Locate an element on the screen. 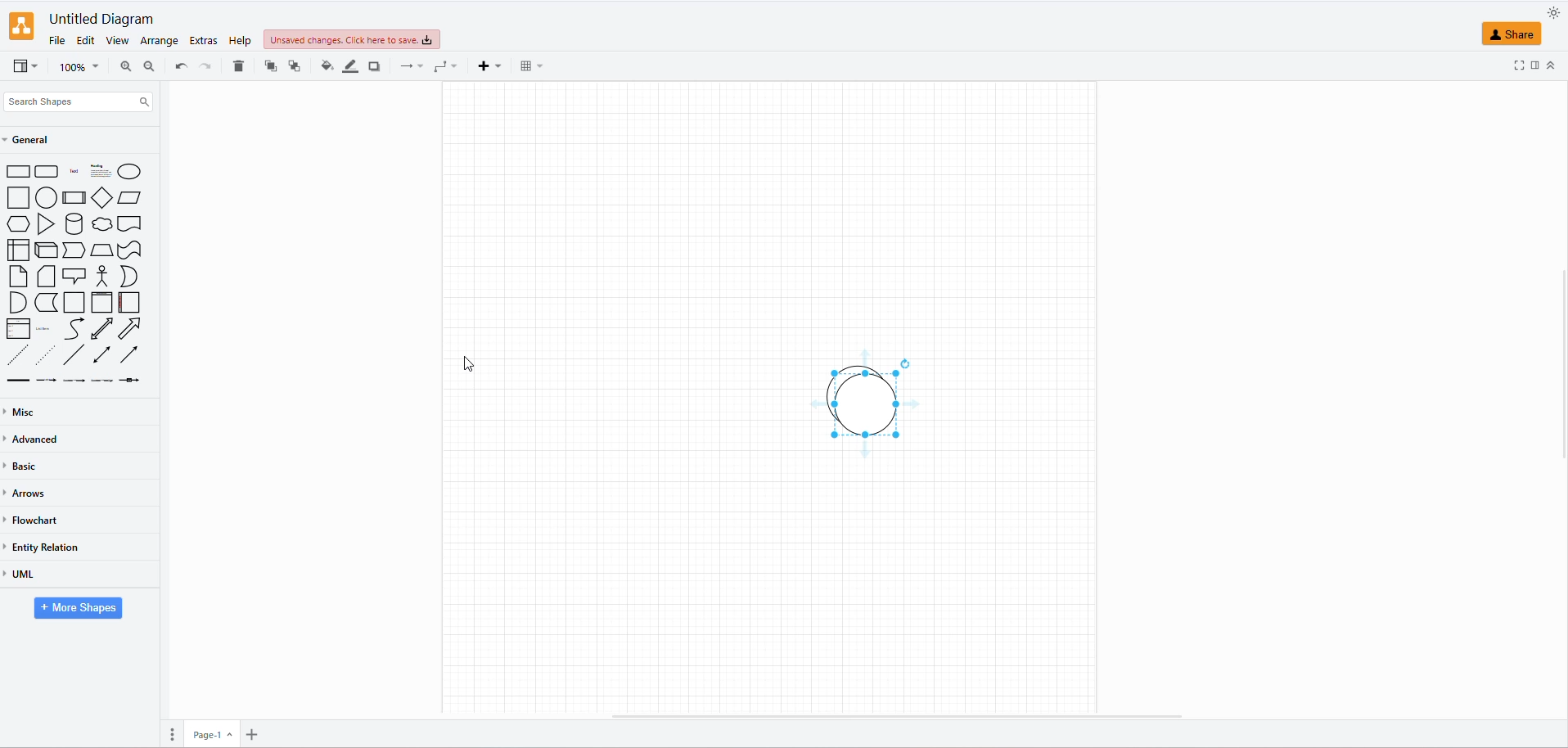 The height and width of the screenshot is (748, 1568). line is located at coordinates (18, 381).